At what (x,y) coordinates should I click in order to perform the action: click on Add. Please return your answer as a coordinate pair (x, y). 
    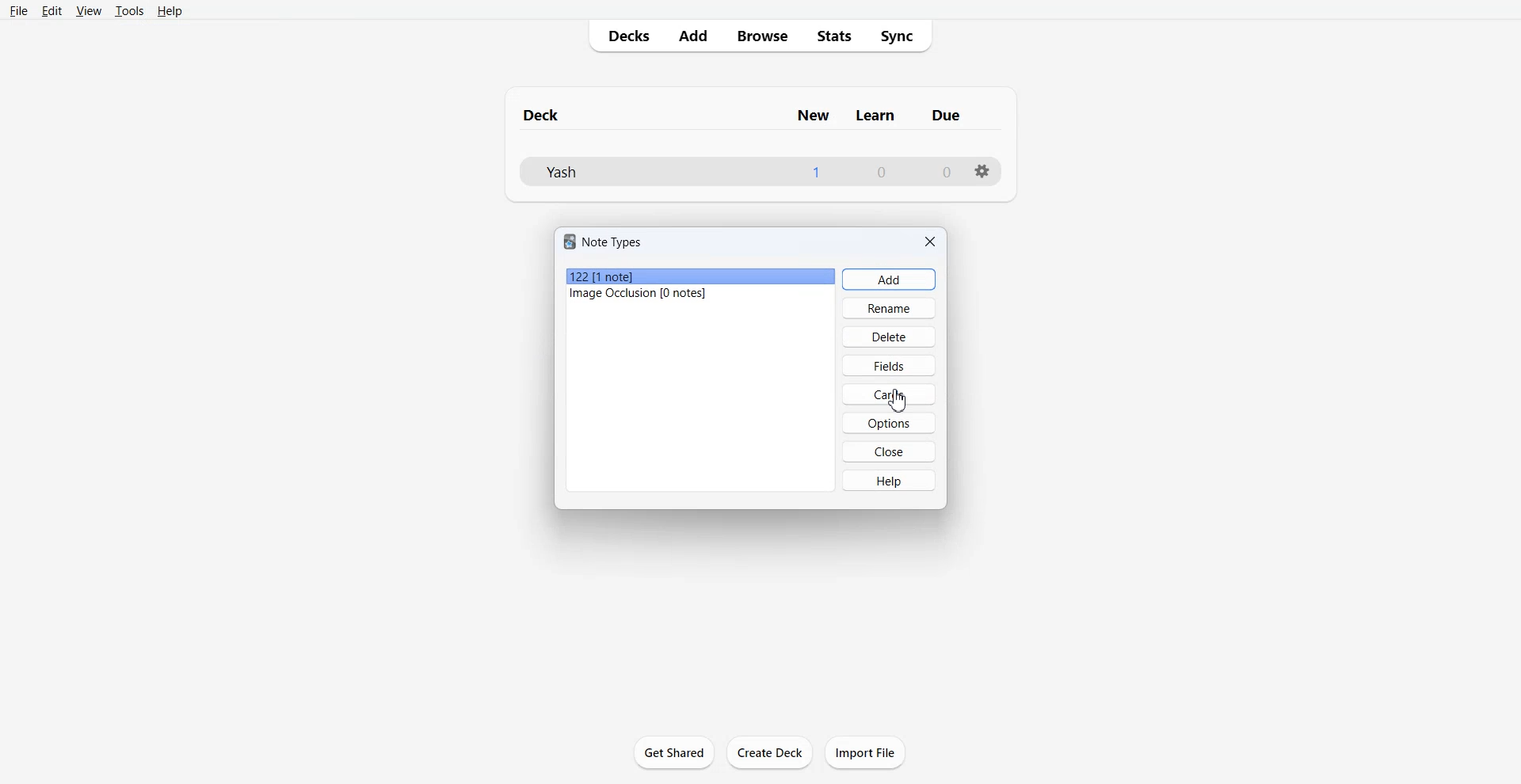
    Looking at the image, I should click on (888, 279).